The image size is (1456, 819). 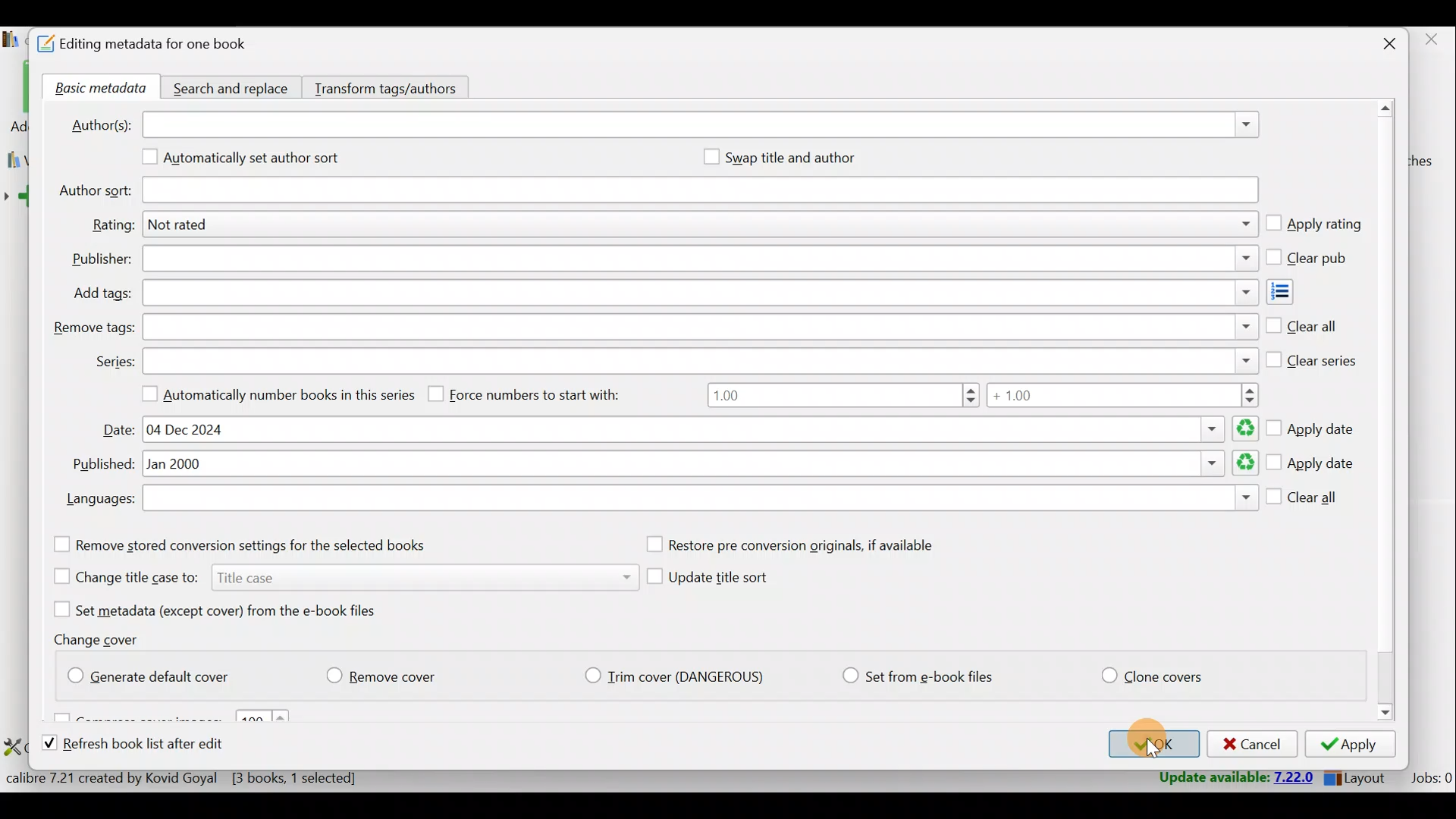 I want to click on Apply date, so click(x=1313, y=424).